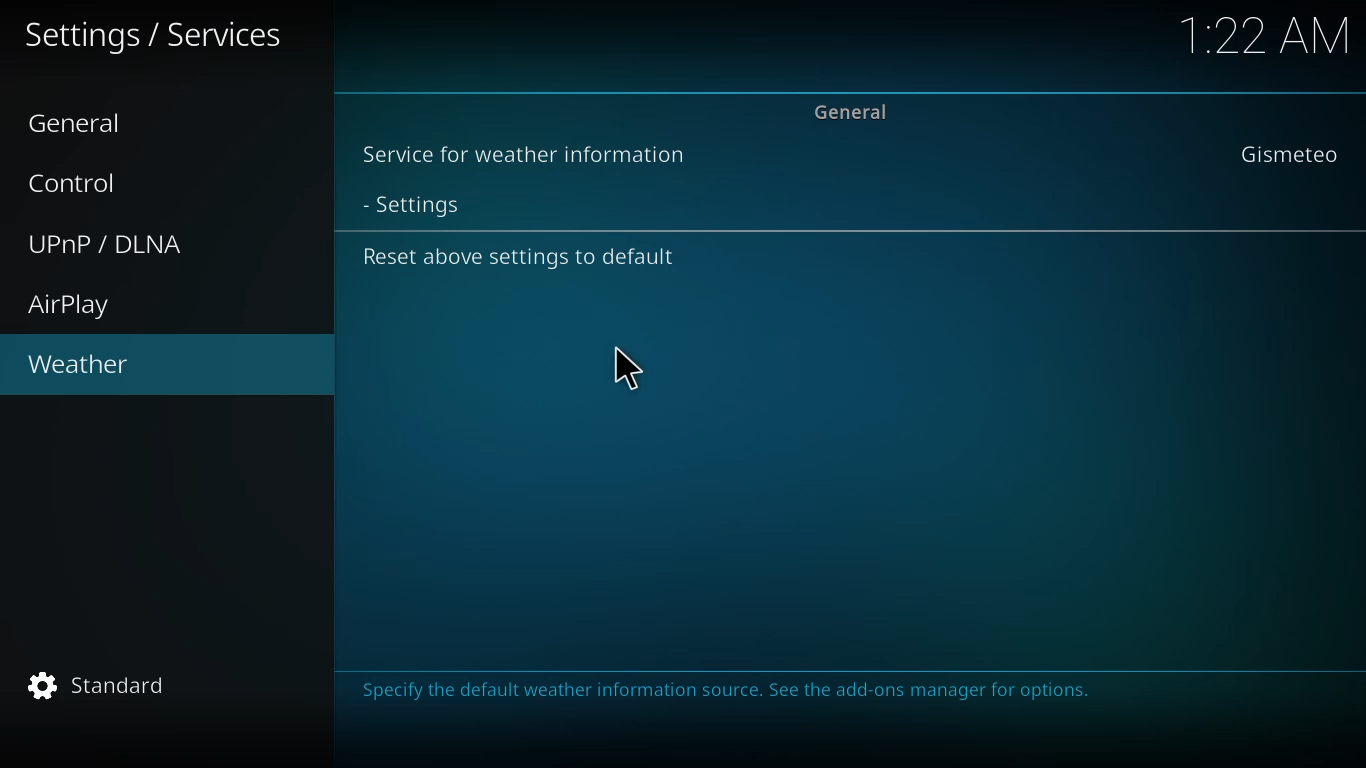 This screenshot has height=768, width=1366. Describe the element at coordinates (626, 367) in the screenshot. I see `cursor` at that location.